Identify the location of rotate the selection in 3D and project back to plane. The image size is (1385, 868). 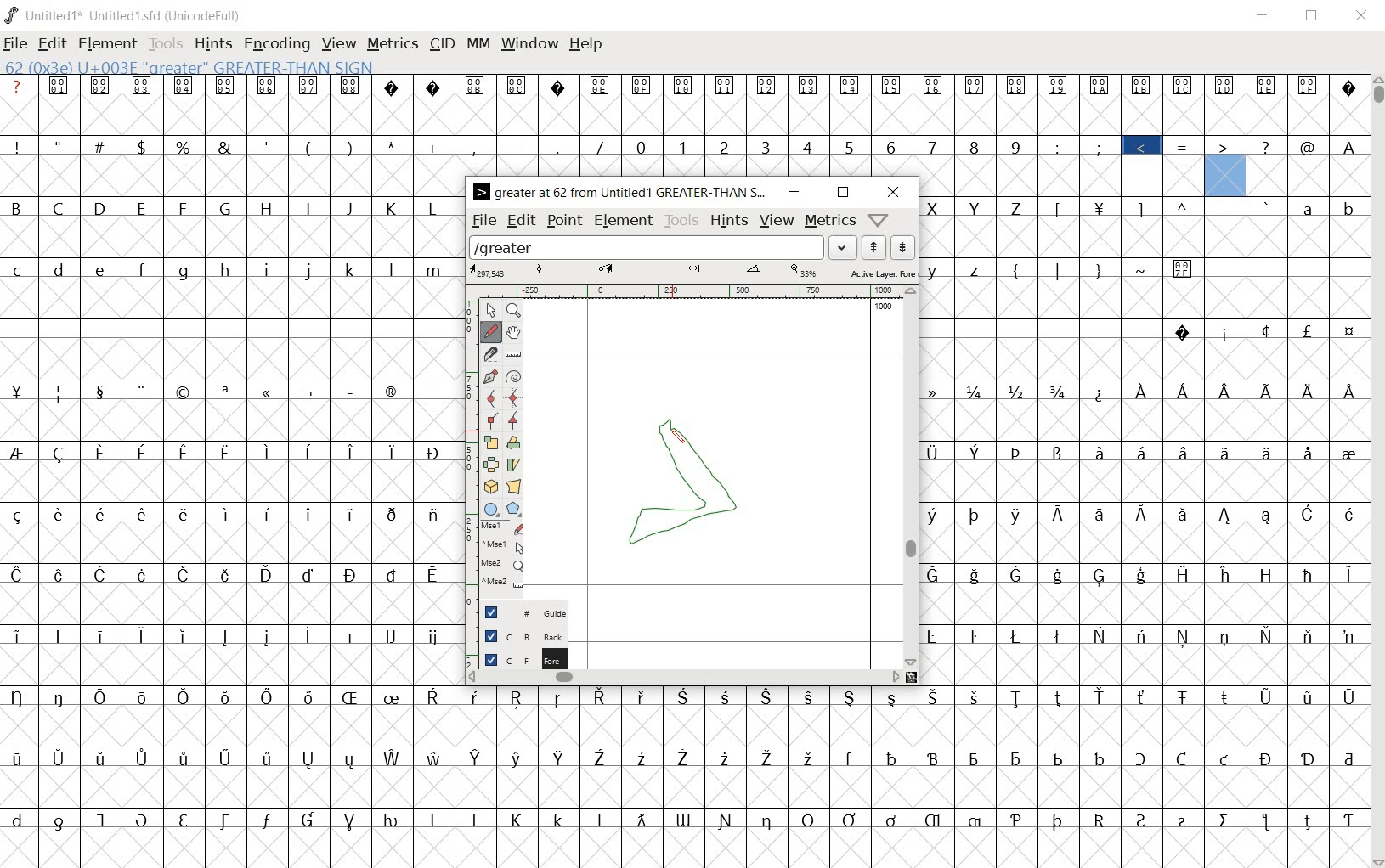
(491, 486).